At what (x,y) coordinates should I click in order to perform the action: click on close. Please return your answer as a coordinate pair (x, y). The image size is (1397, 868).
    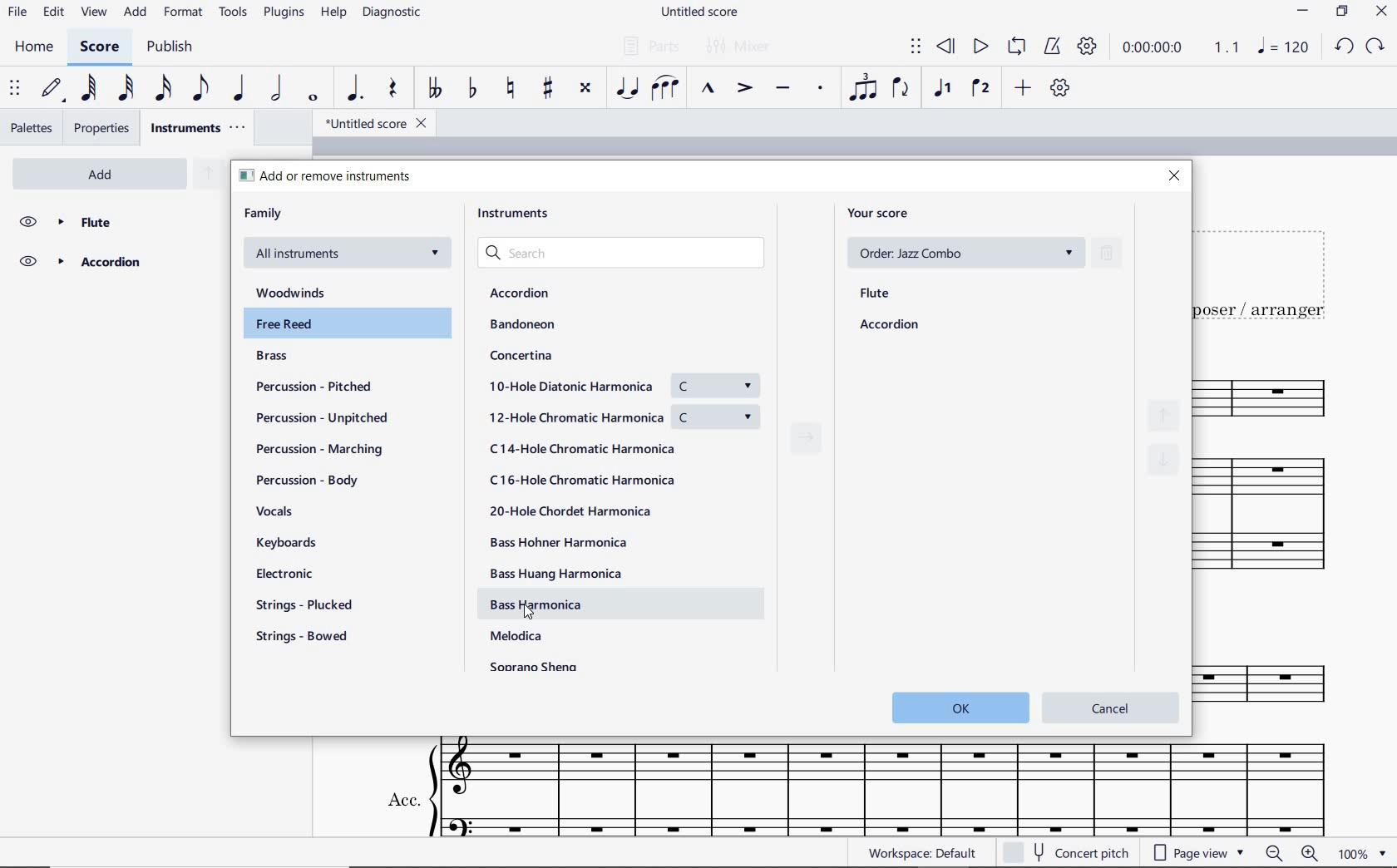
    Looking at the image, I should click on (1176, 175).